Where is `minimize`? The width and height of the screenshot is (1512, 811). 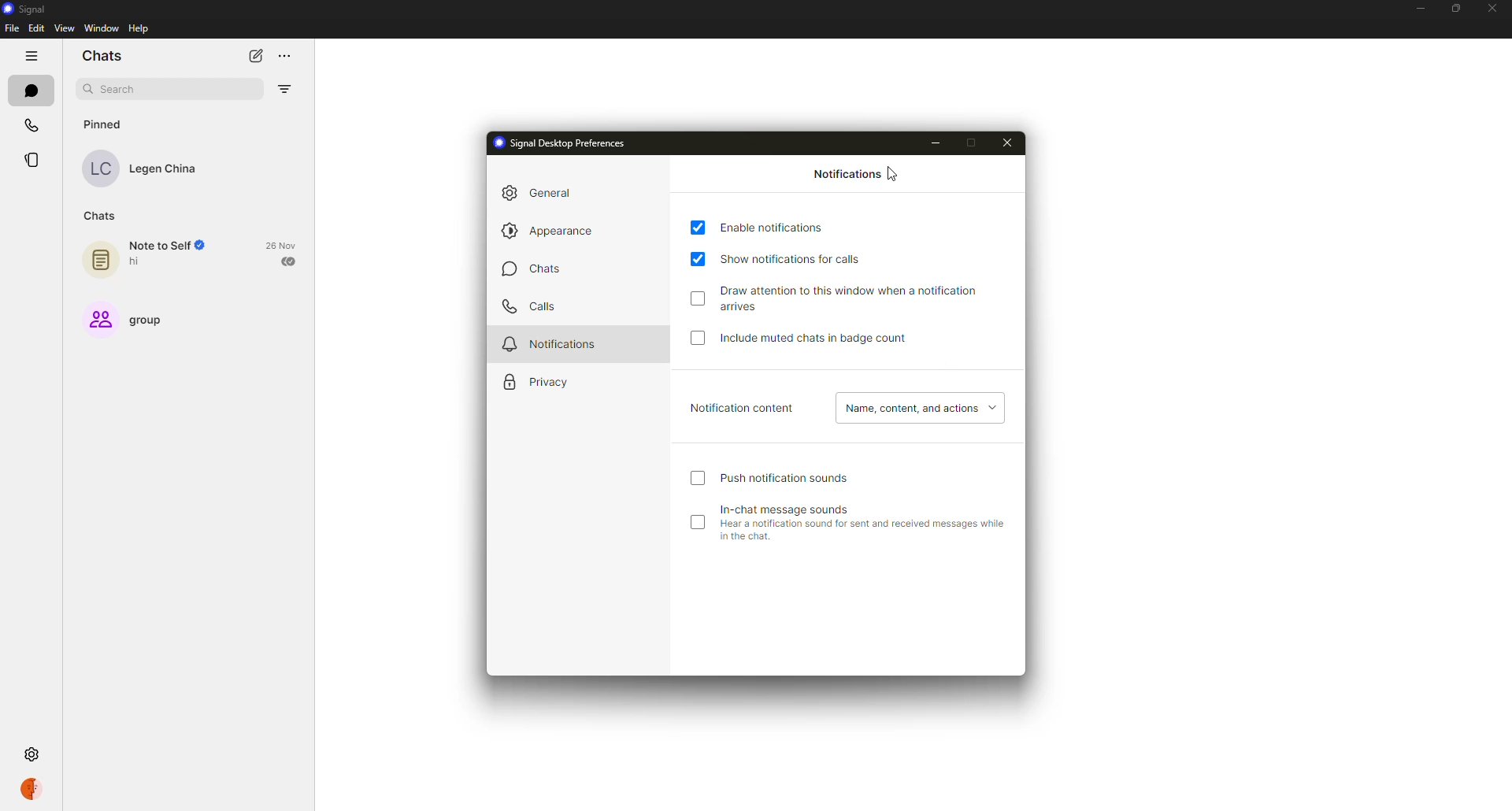
minimize is located at coordinates (933, 142).